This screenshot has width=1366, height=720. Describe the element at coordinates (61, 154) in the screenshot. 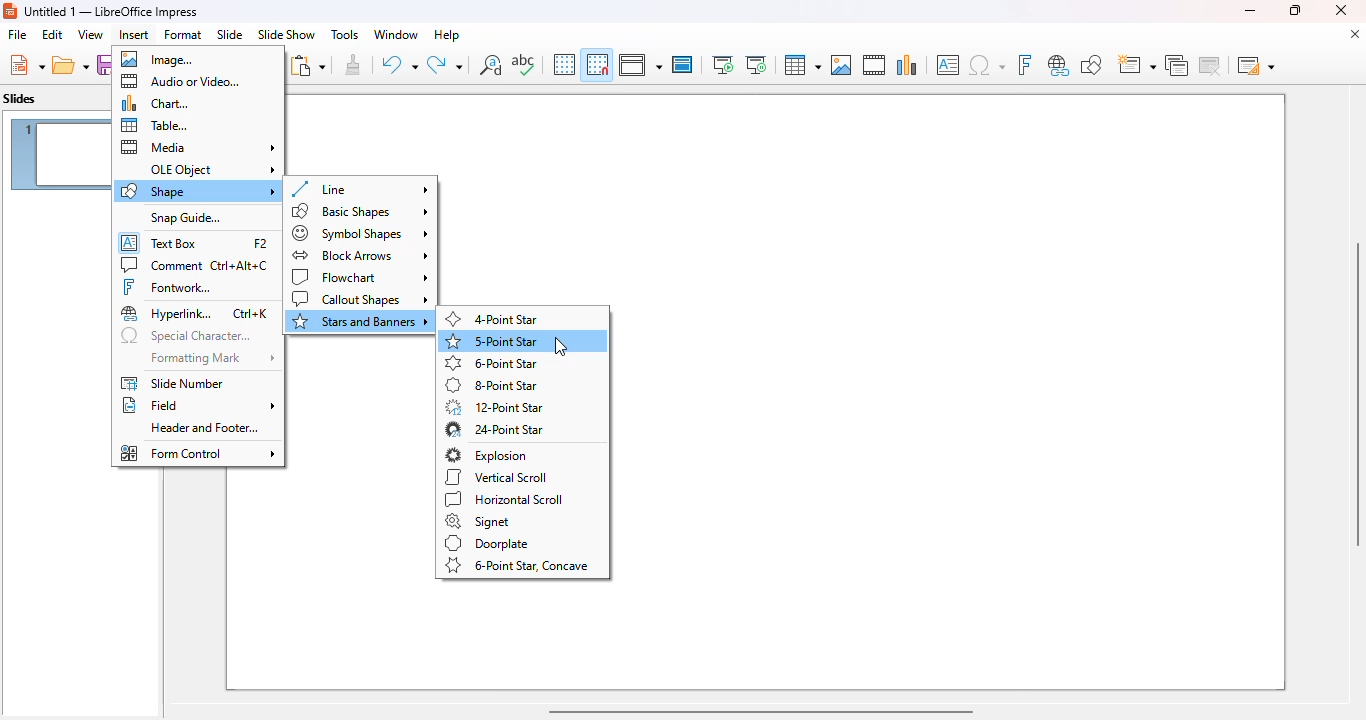

I see `slide 1` at that location.